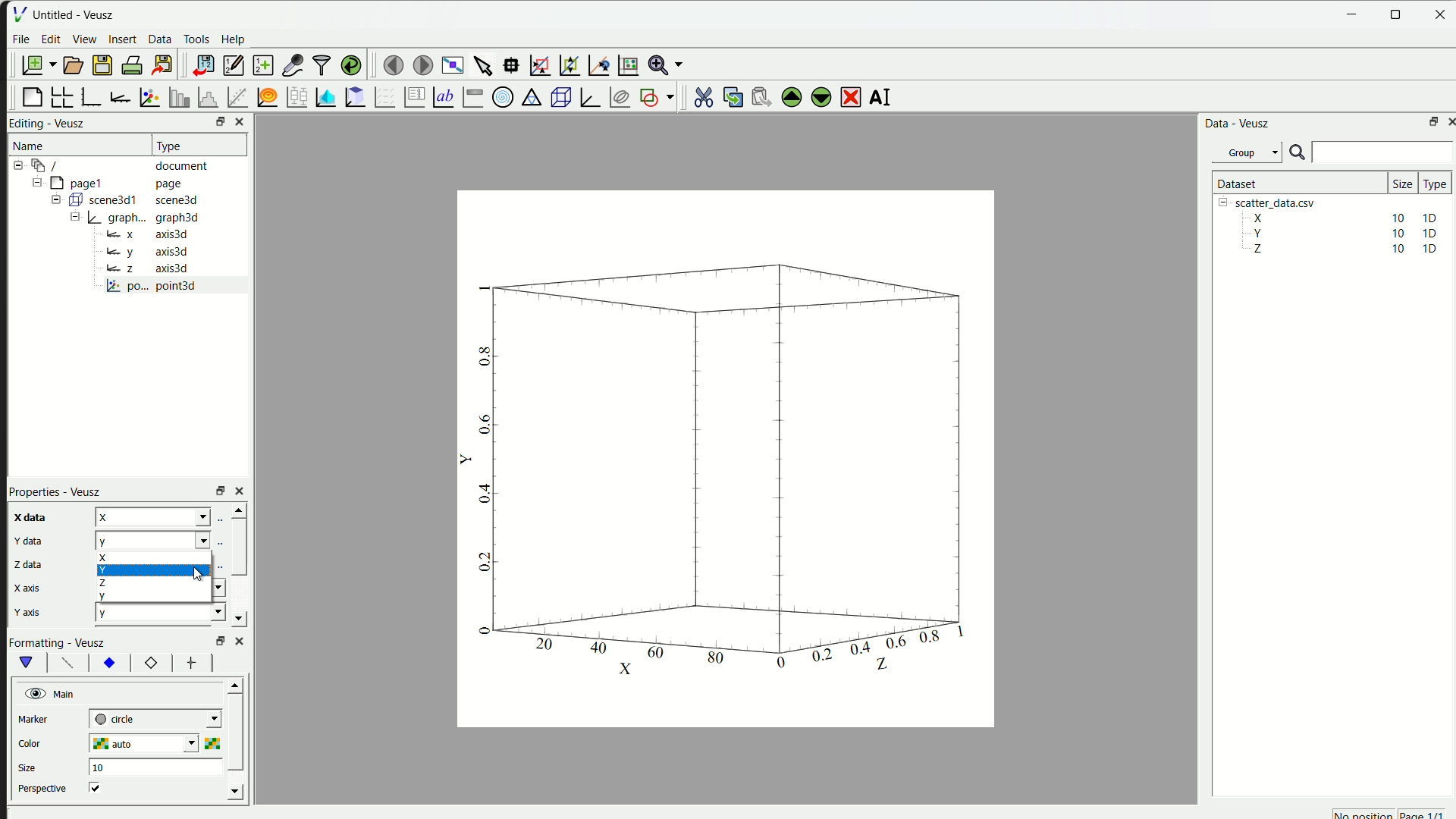  Describe the element at coordinates (158, 40) in the screenshot. I see `Data` at that location.